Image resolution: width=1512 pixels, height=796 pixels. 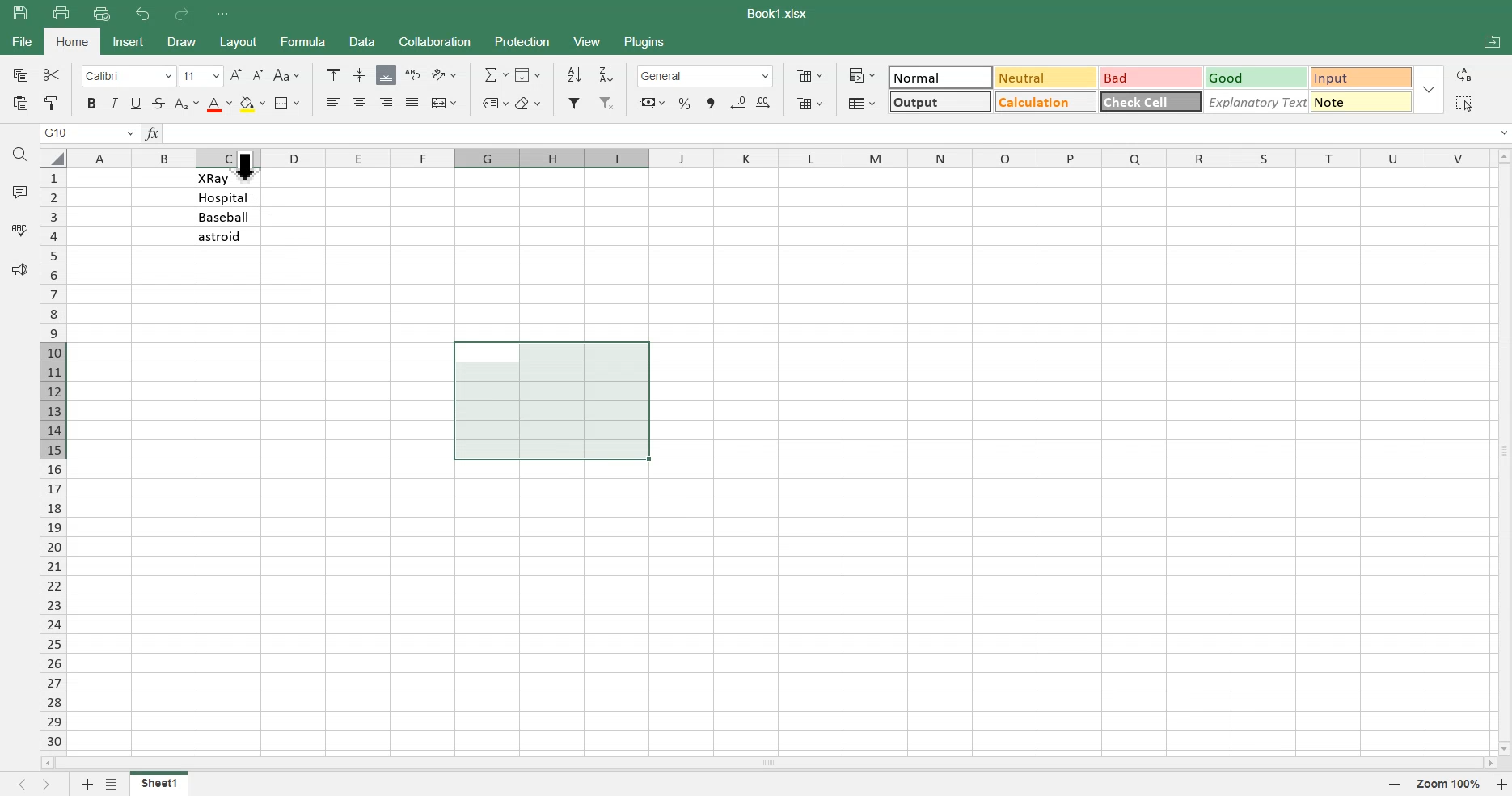 I want to click on Paste, so click(x=23, y=13).